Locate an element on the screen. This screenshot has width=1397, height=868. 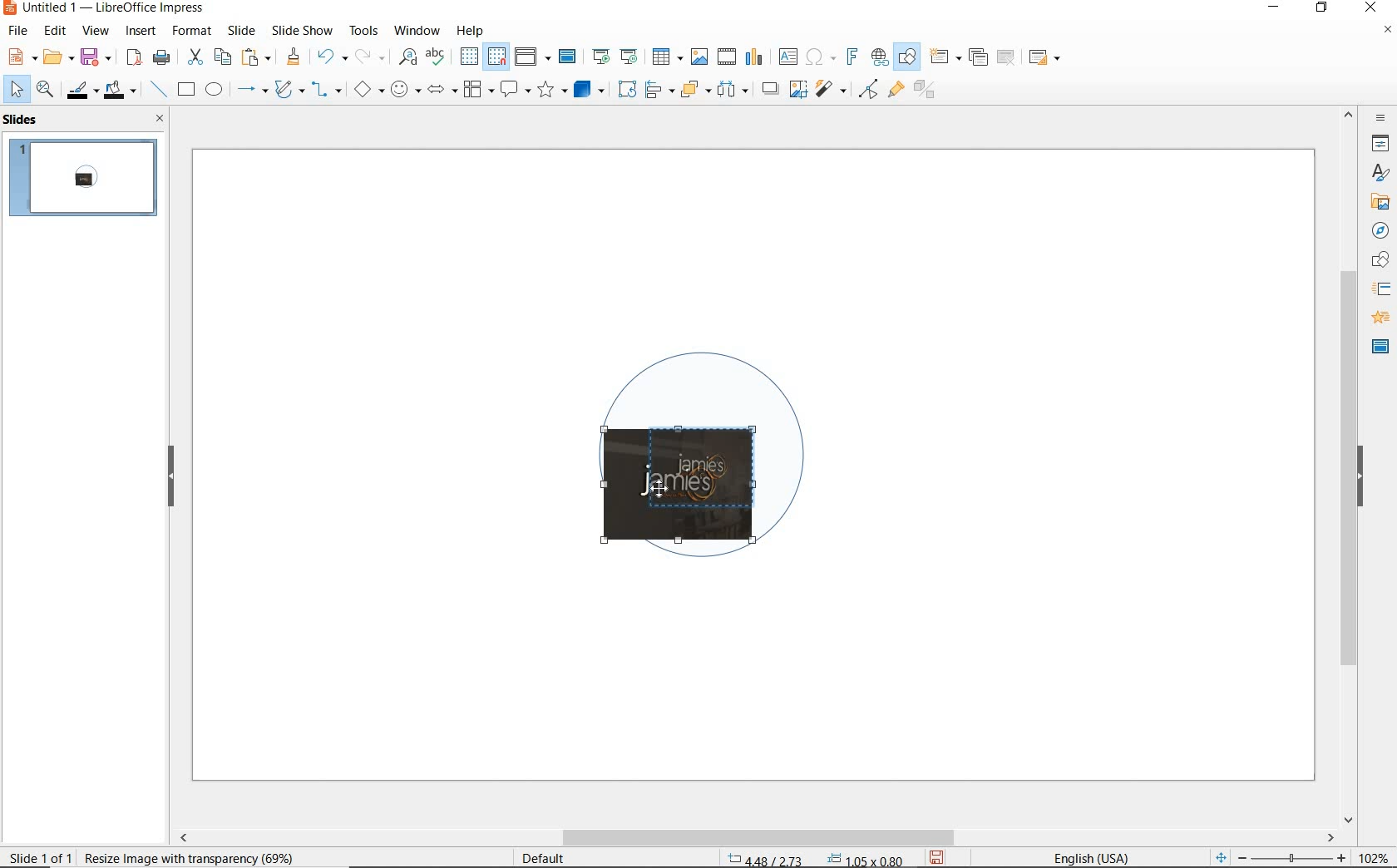
callout shapes is located at coordinates (512, 91).